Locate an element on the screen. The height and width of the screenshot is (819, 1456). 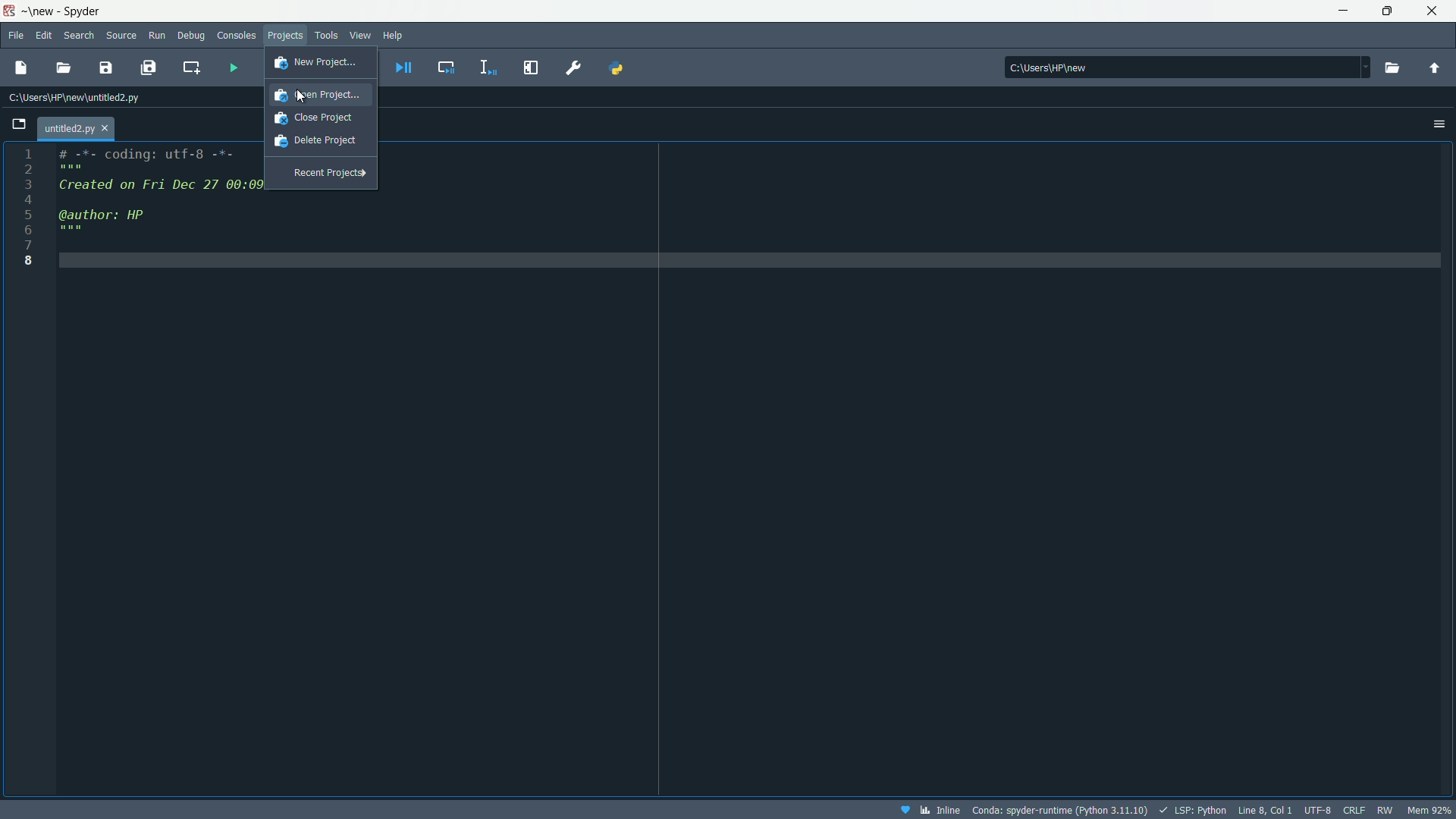
memory usage is located at coordinates (1431, 810).